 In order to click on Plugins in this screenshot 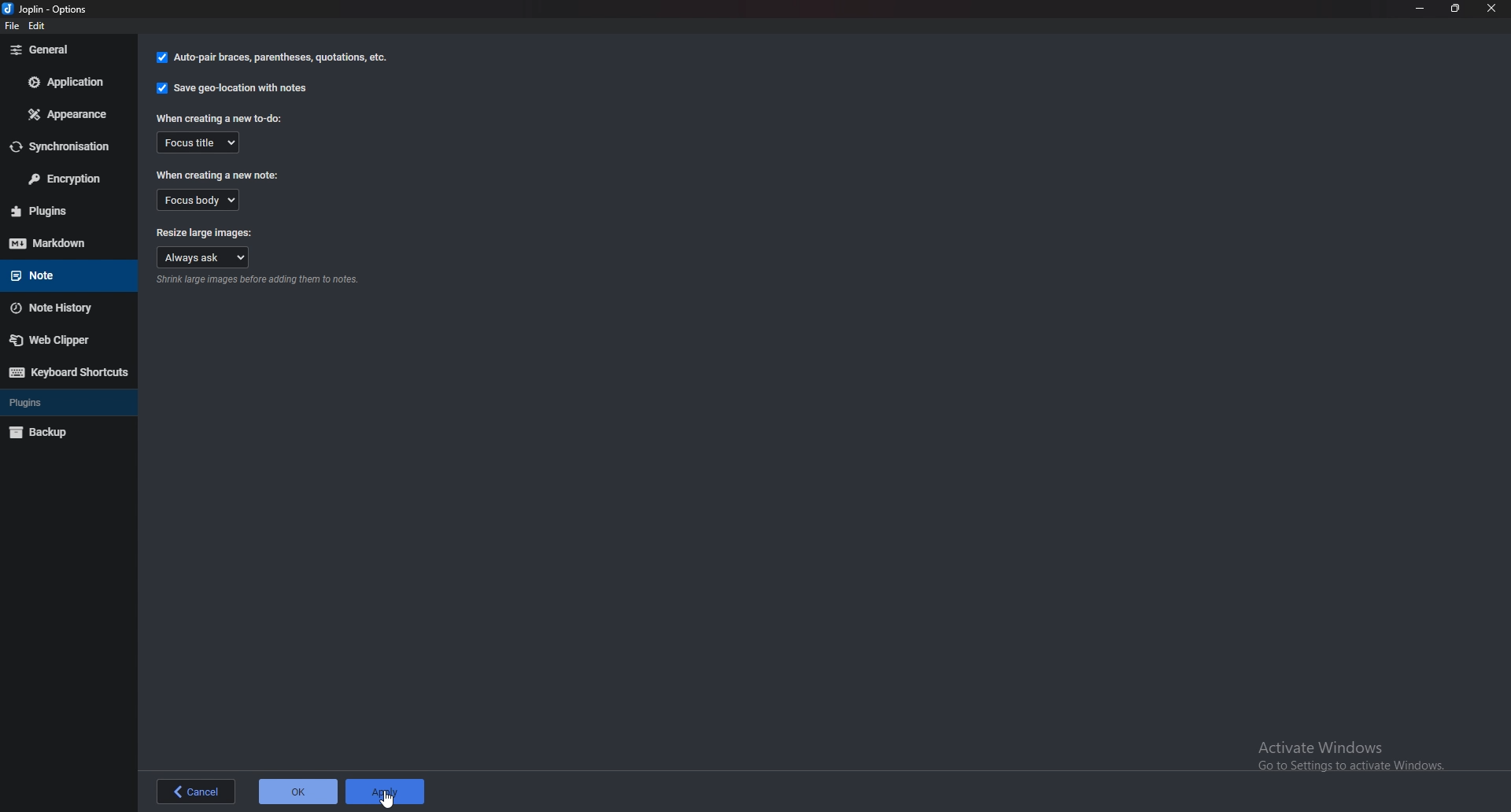, I will do `click(63, 401)`.